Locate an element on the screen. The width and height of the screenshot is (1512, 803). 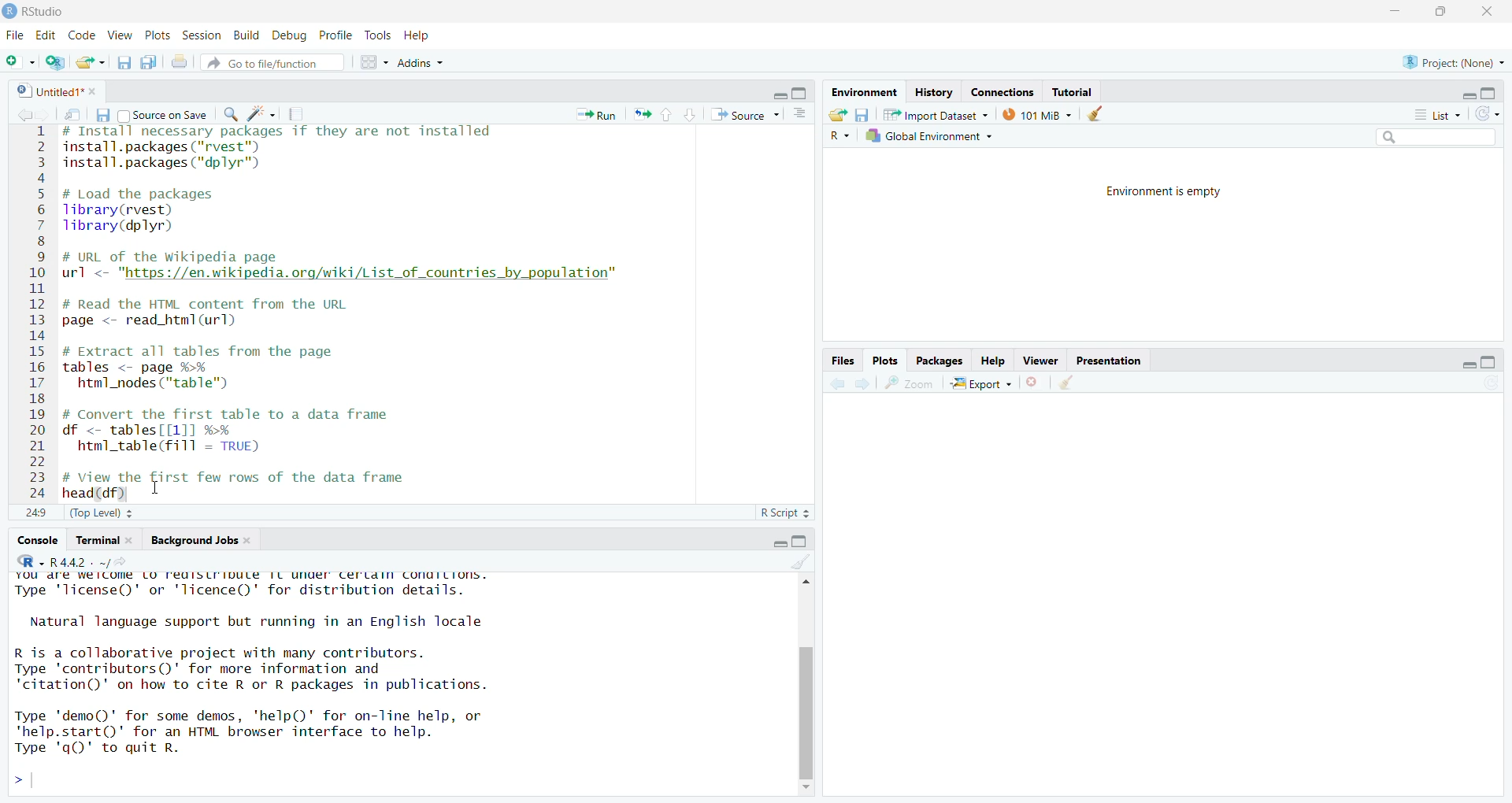
Project(None) is located at coordinates (1455, 63).